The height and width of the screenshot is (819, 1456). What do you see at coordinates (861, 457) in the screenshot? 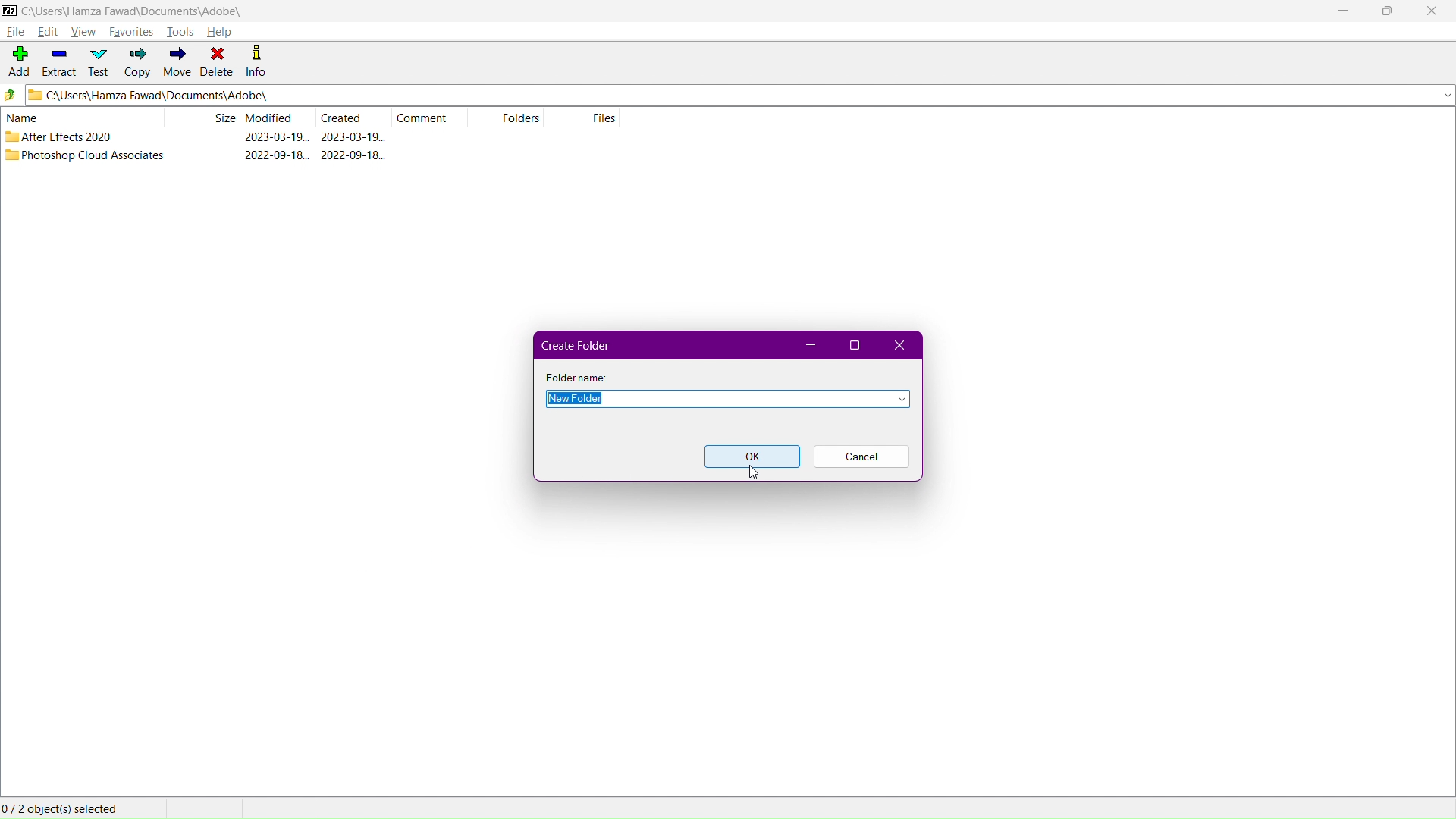
I see `Cancel` at bounding box center [861, 457].